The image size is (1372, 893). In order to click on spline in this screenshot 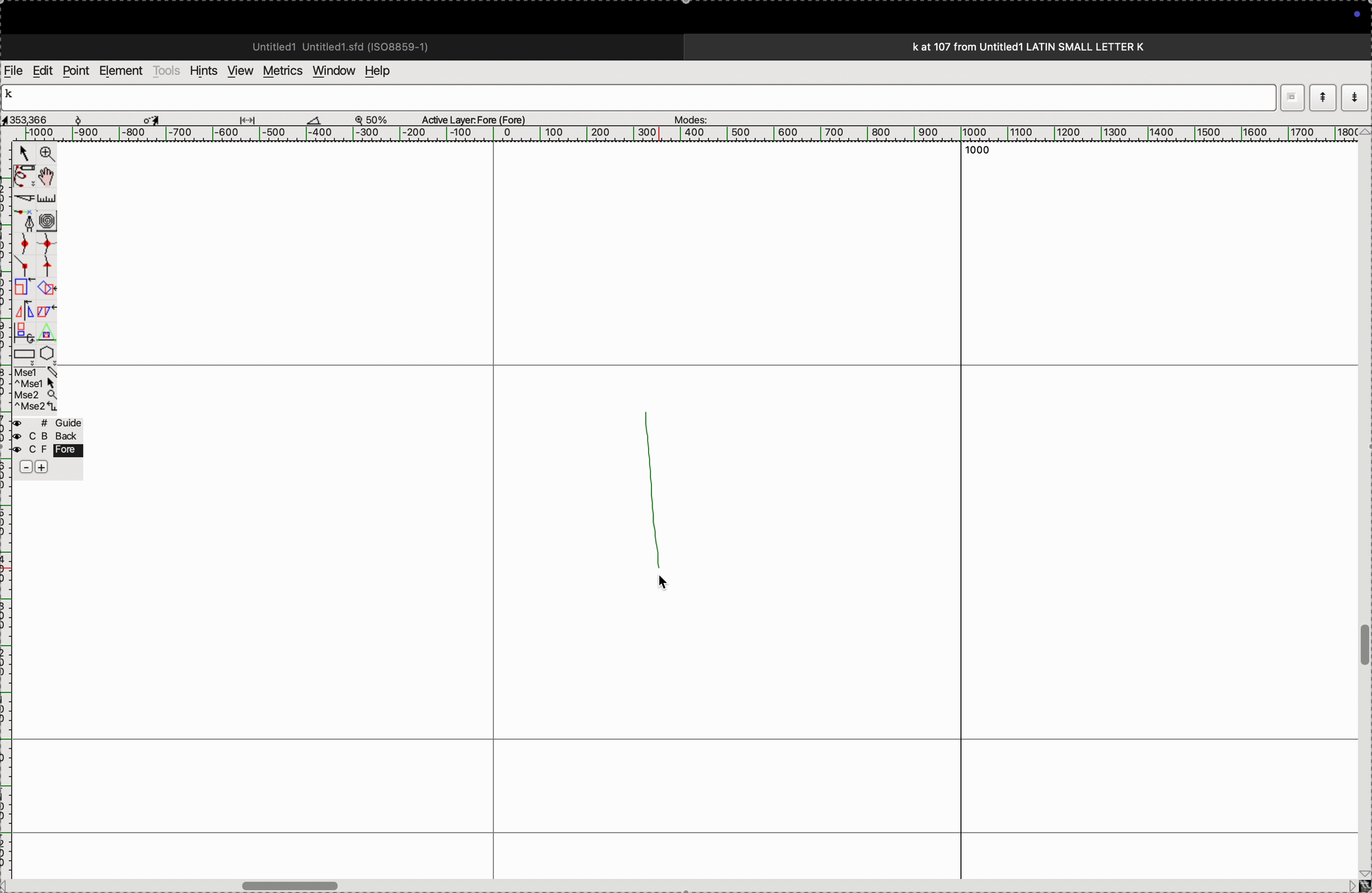, I will do `click(39, 253)`.